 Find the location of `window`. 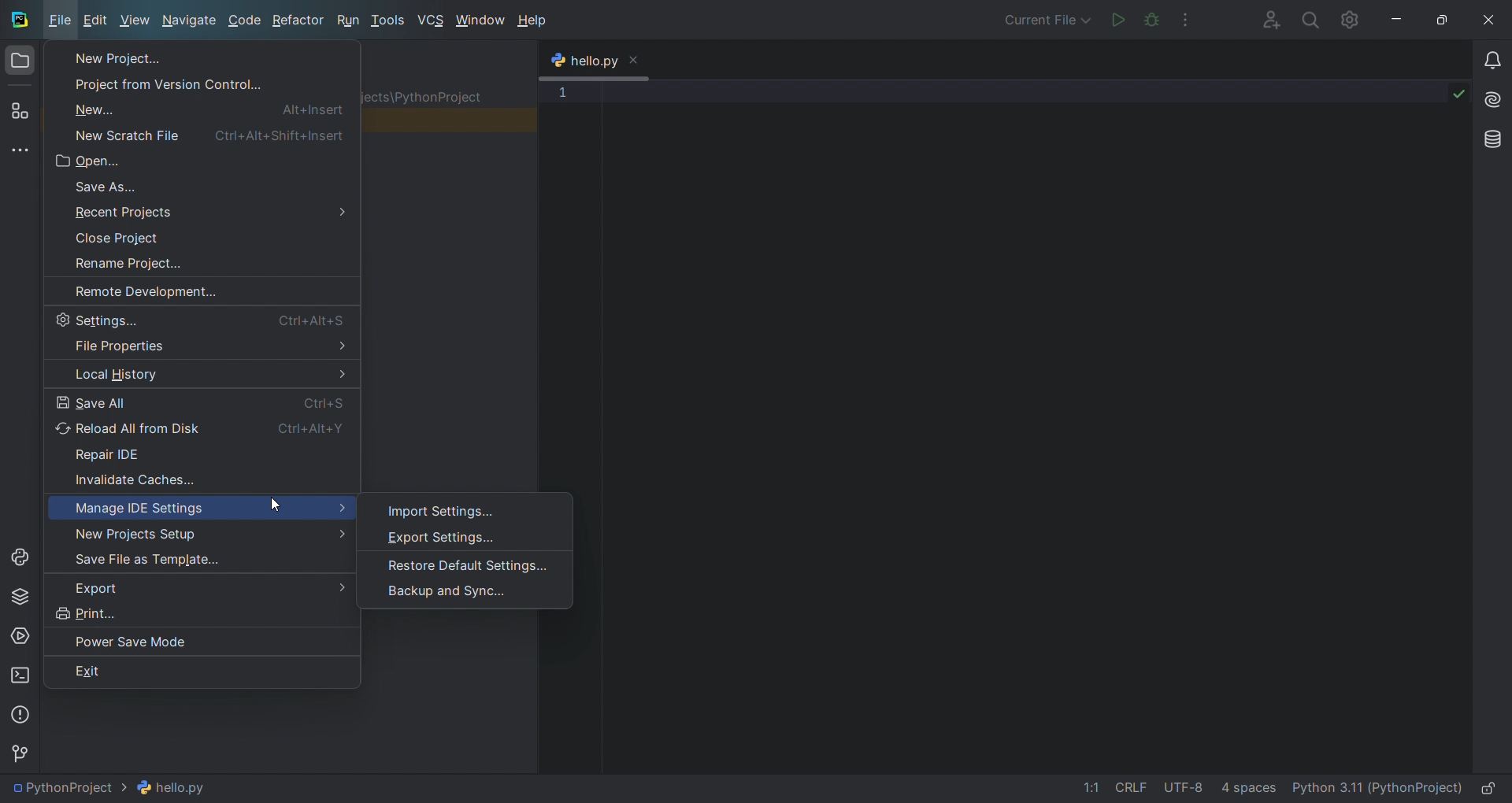

window is located at coordinates (480, 21).